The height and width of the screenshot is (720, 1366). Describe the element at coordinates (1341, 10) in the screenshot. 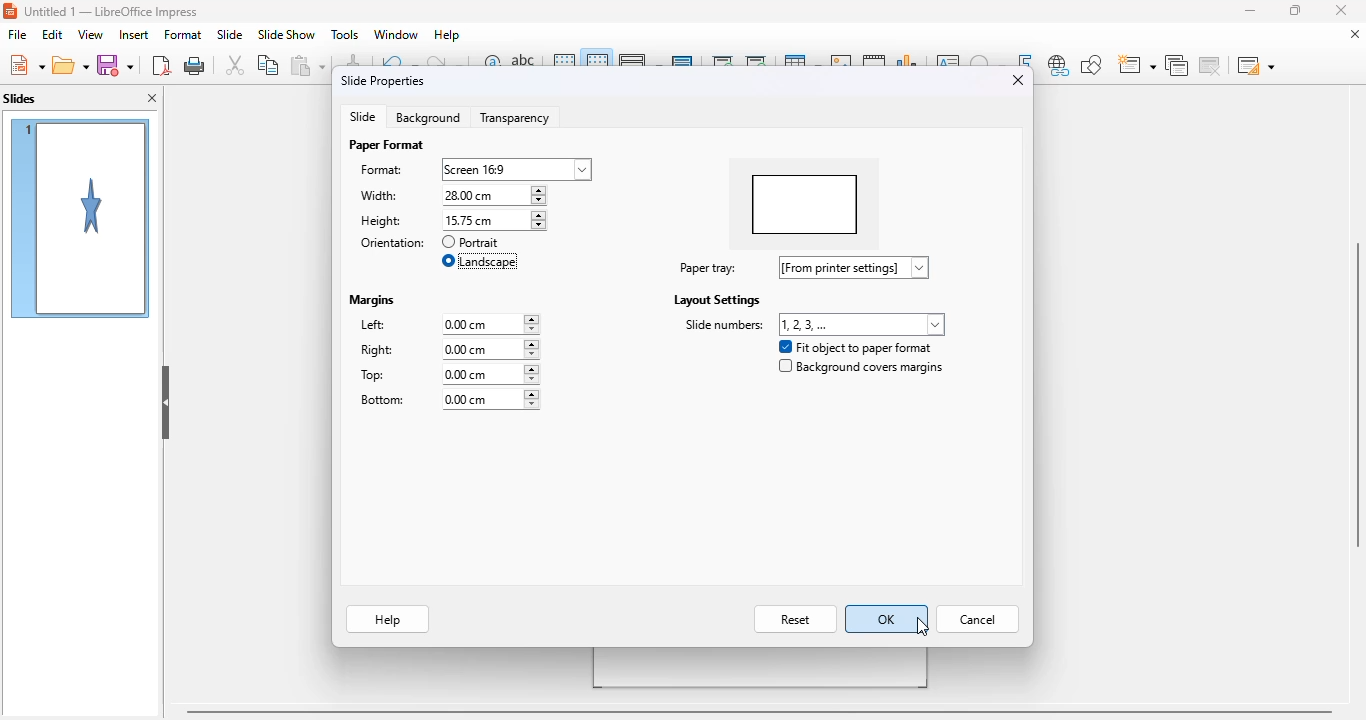

I see `close` at that location.